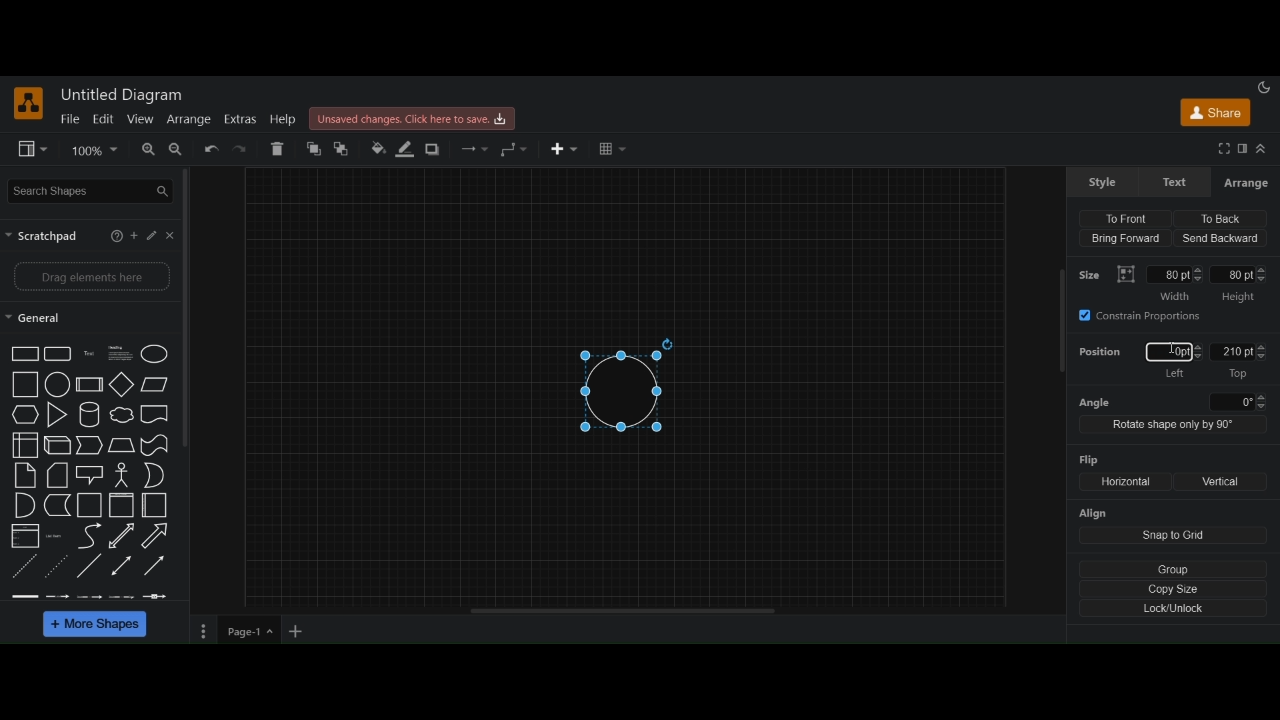 The width and height of the screenshot is (1280, 720). What do you see at coordinates (58, 564) in the screenshot?
I see `dotted line` at bounding box center [58, 564].